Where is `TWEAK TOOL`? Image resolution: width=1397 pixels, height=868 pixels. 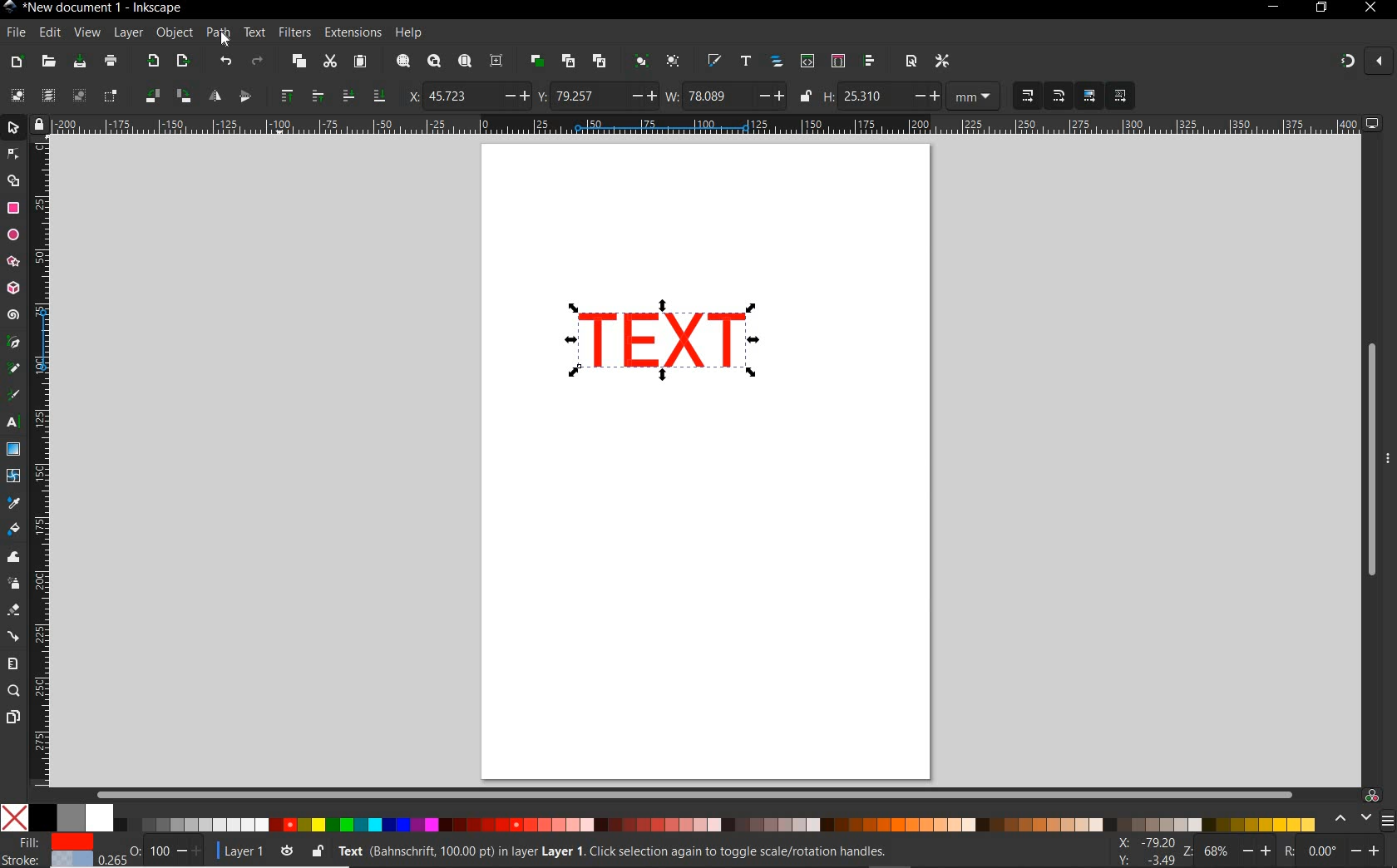 TWEAK TOOL is located at coordinates (15, 558).